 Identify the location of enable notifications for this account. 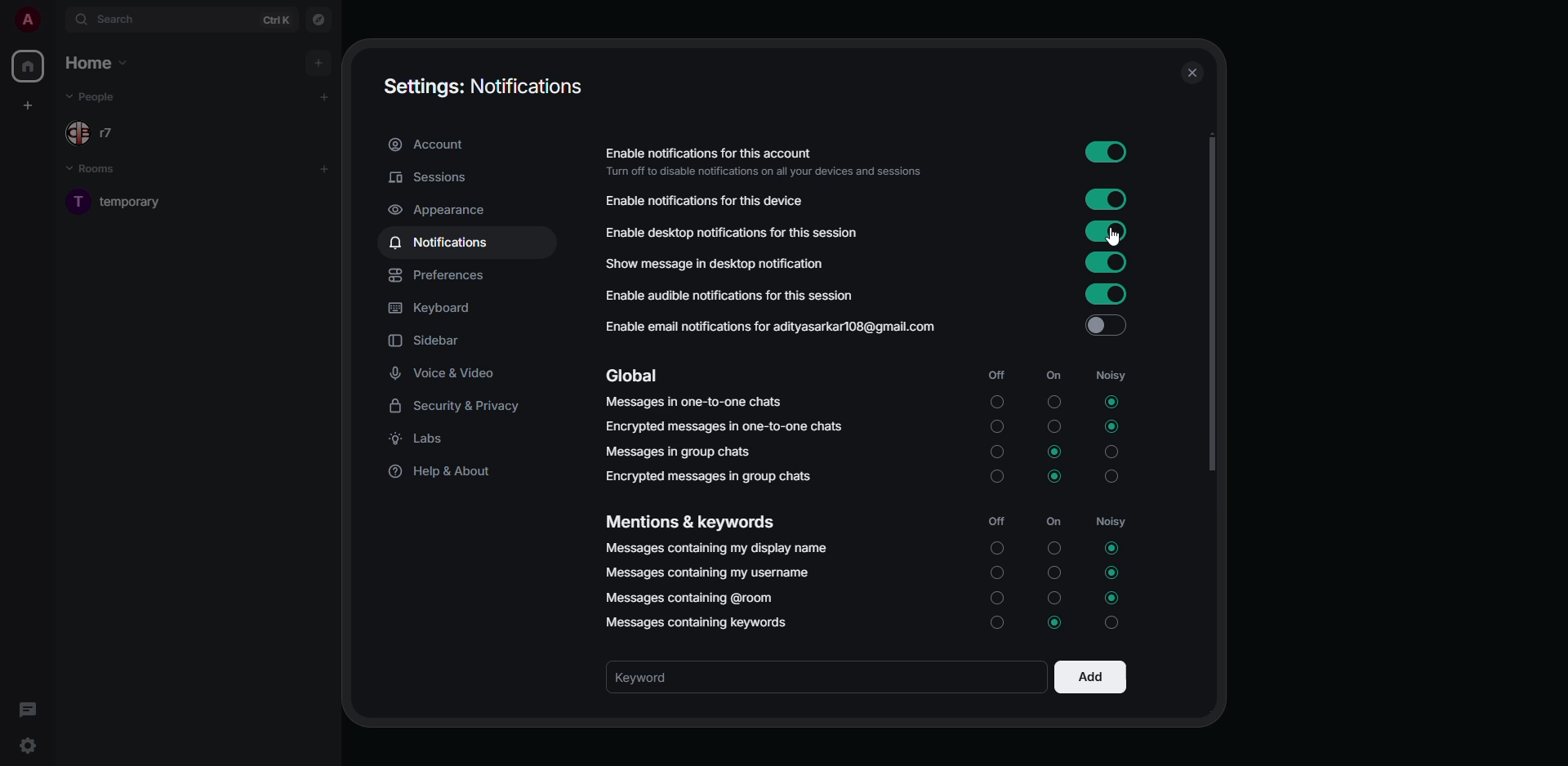
(763, 159).